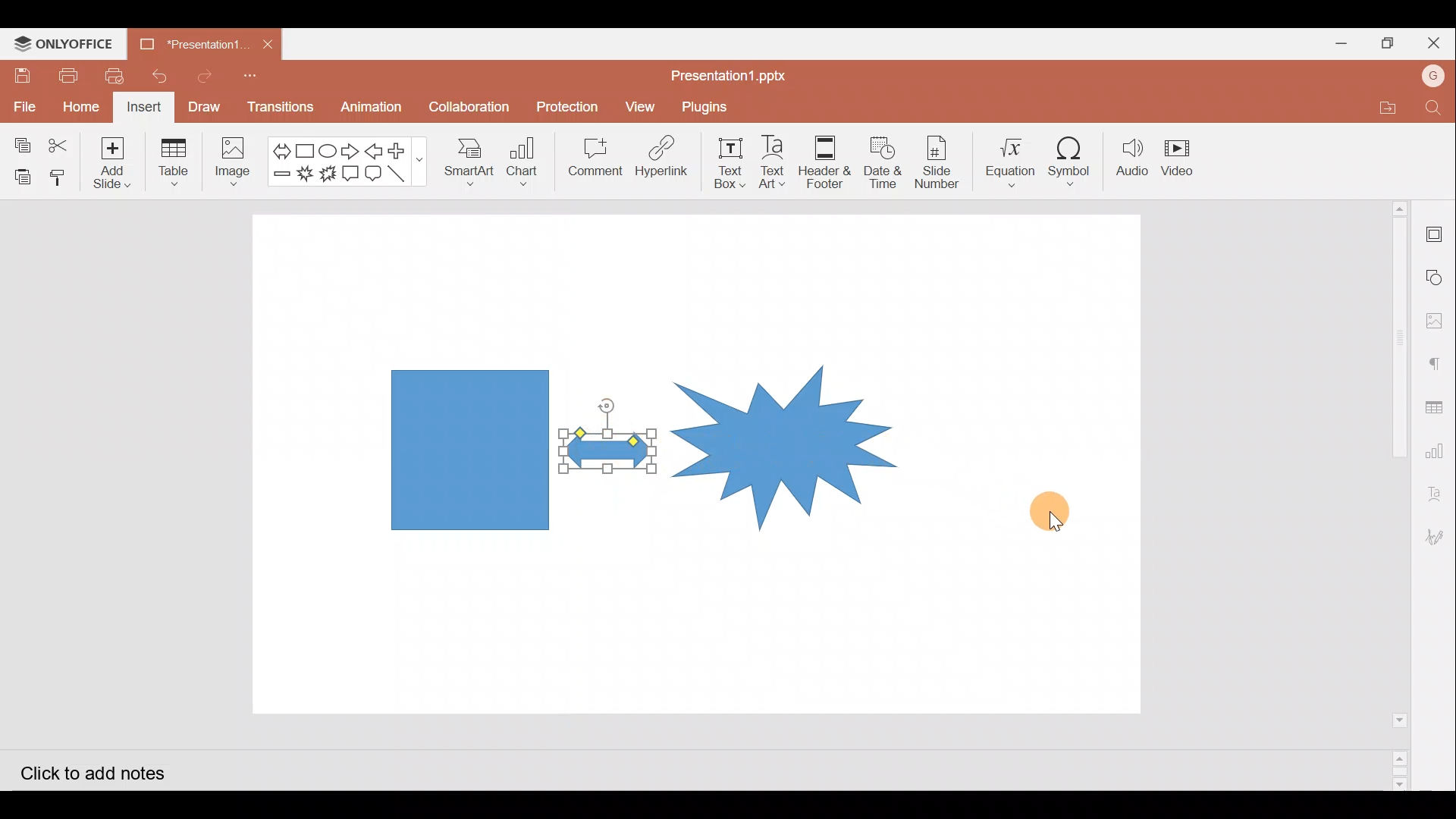 The image size is (1456, 819). Describe the element at coordinates (725, 73) in the screenshot. I see `Presentation1.pptx` at that location.